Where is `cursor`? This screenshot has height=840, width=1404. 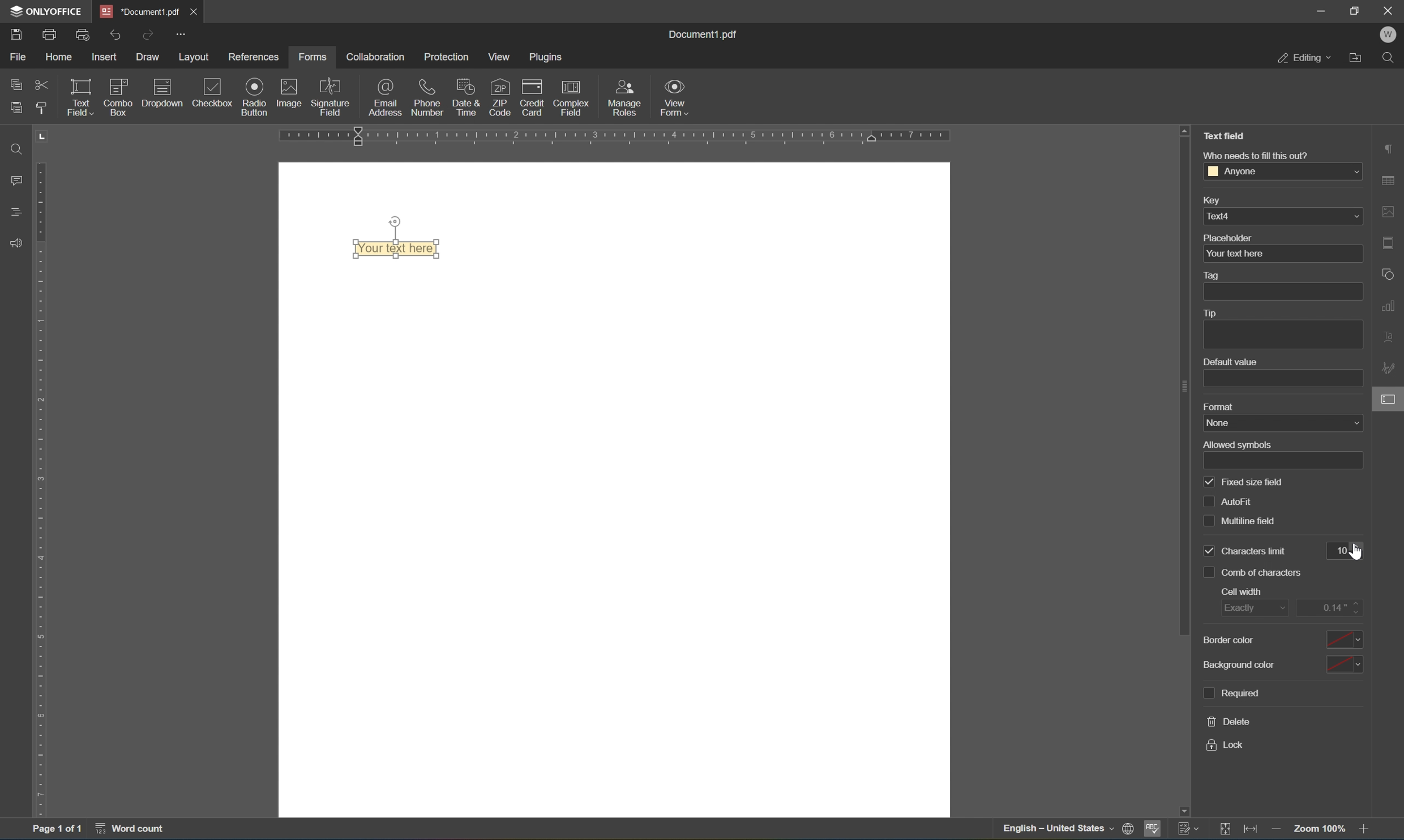 cursor is located at coordinates (1394, 407).